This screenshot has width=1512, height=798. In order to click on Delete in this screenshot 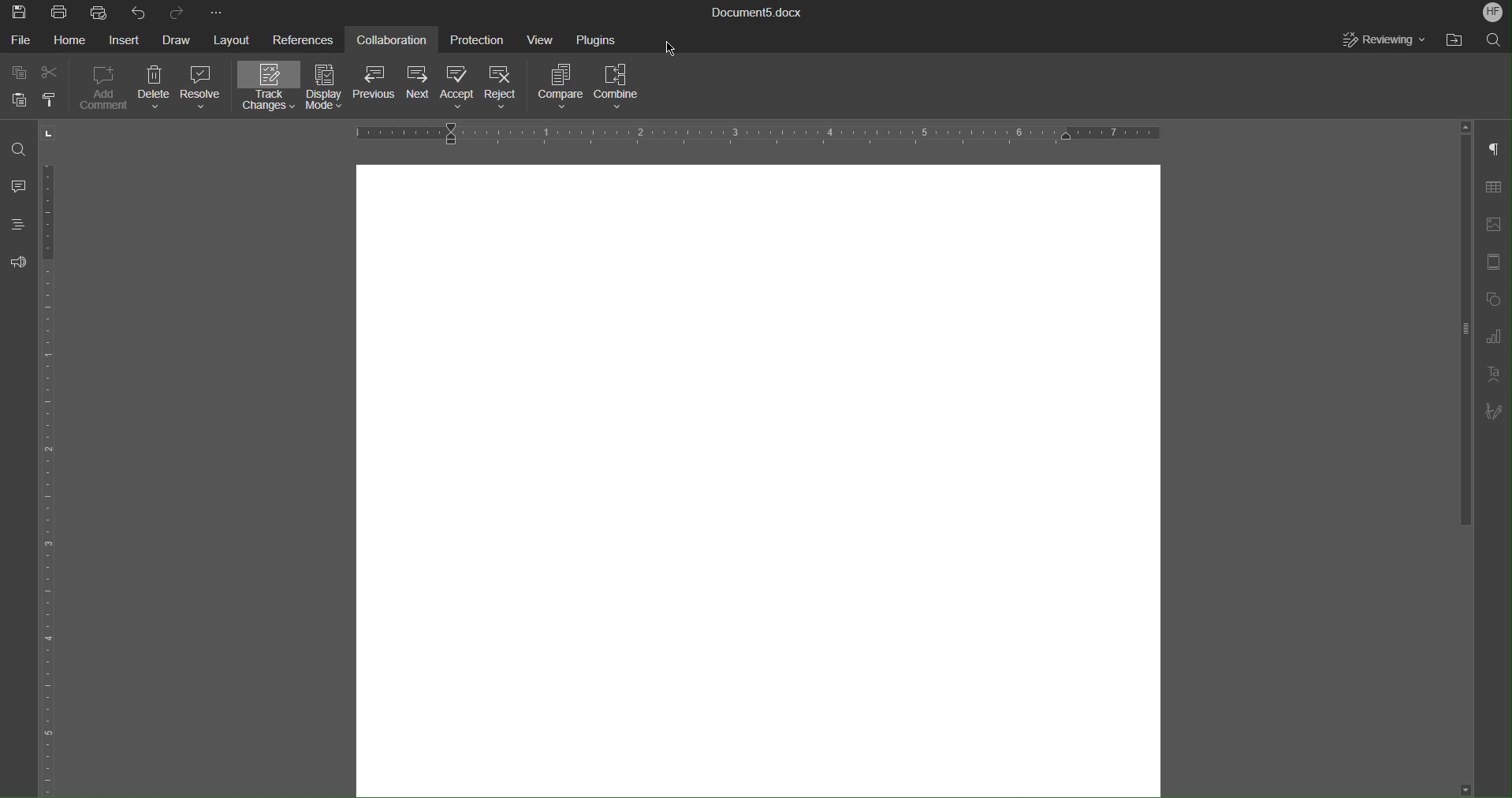, I will do `click(158, 91)`.